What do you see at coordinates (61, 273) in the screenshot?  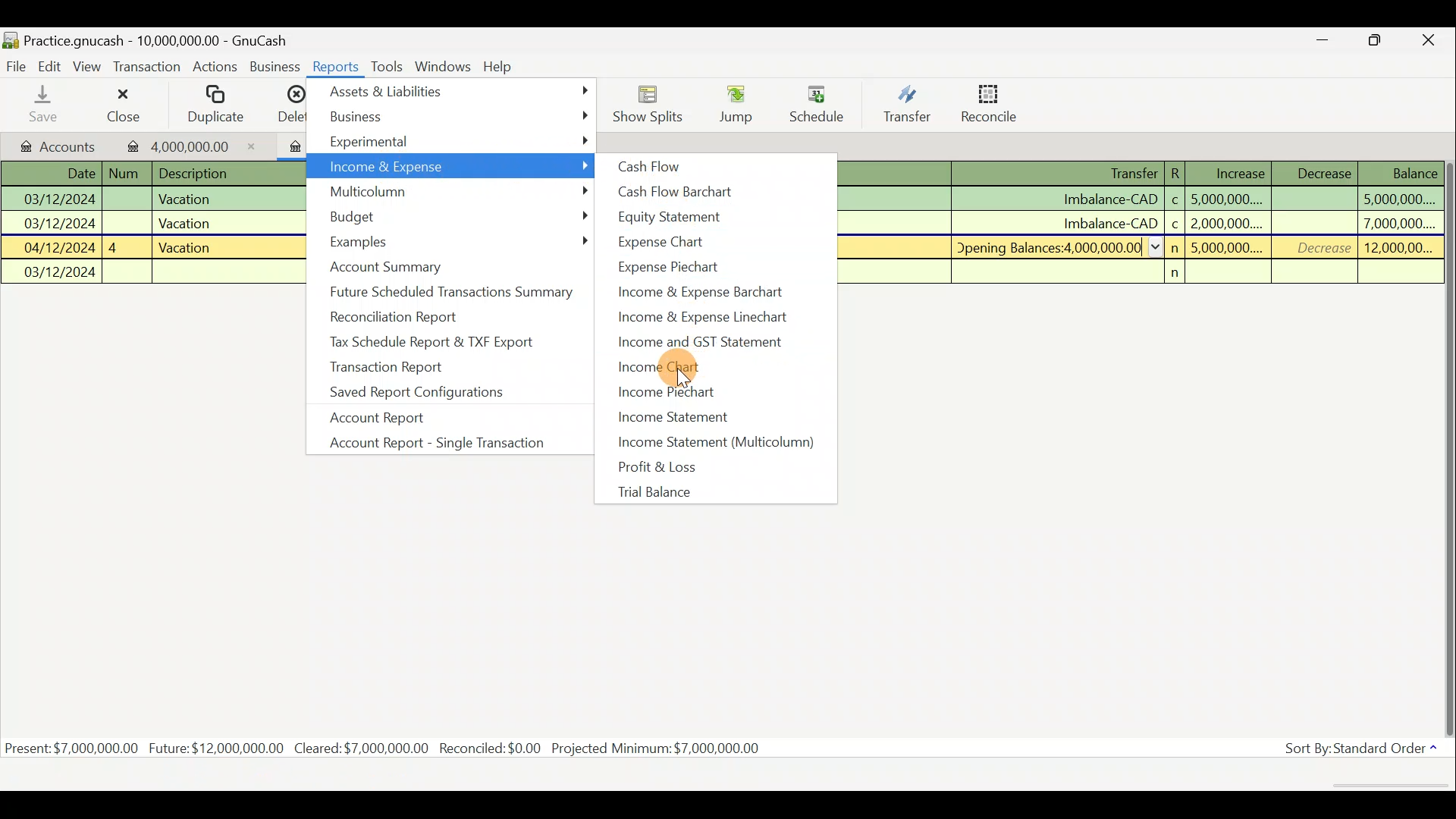 I see `03/12/2024` at bounding box center [61, 273].